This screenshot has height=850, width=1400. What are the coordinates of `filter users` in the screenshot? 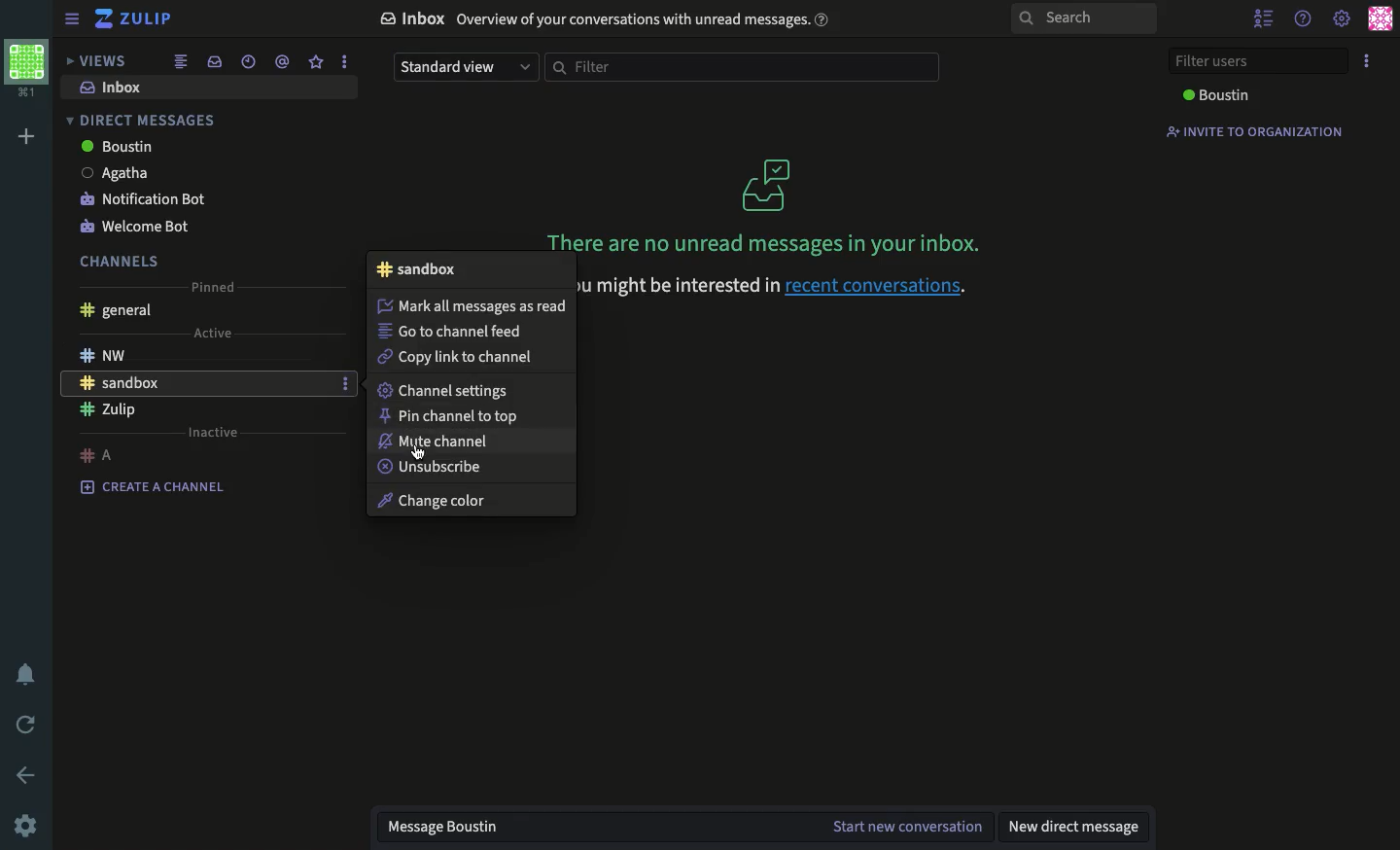 It's located at (1254, 60).